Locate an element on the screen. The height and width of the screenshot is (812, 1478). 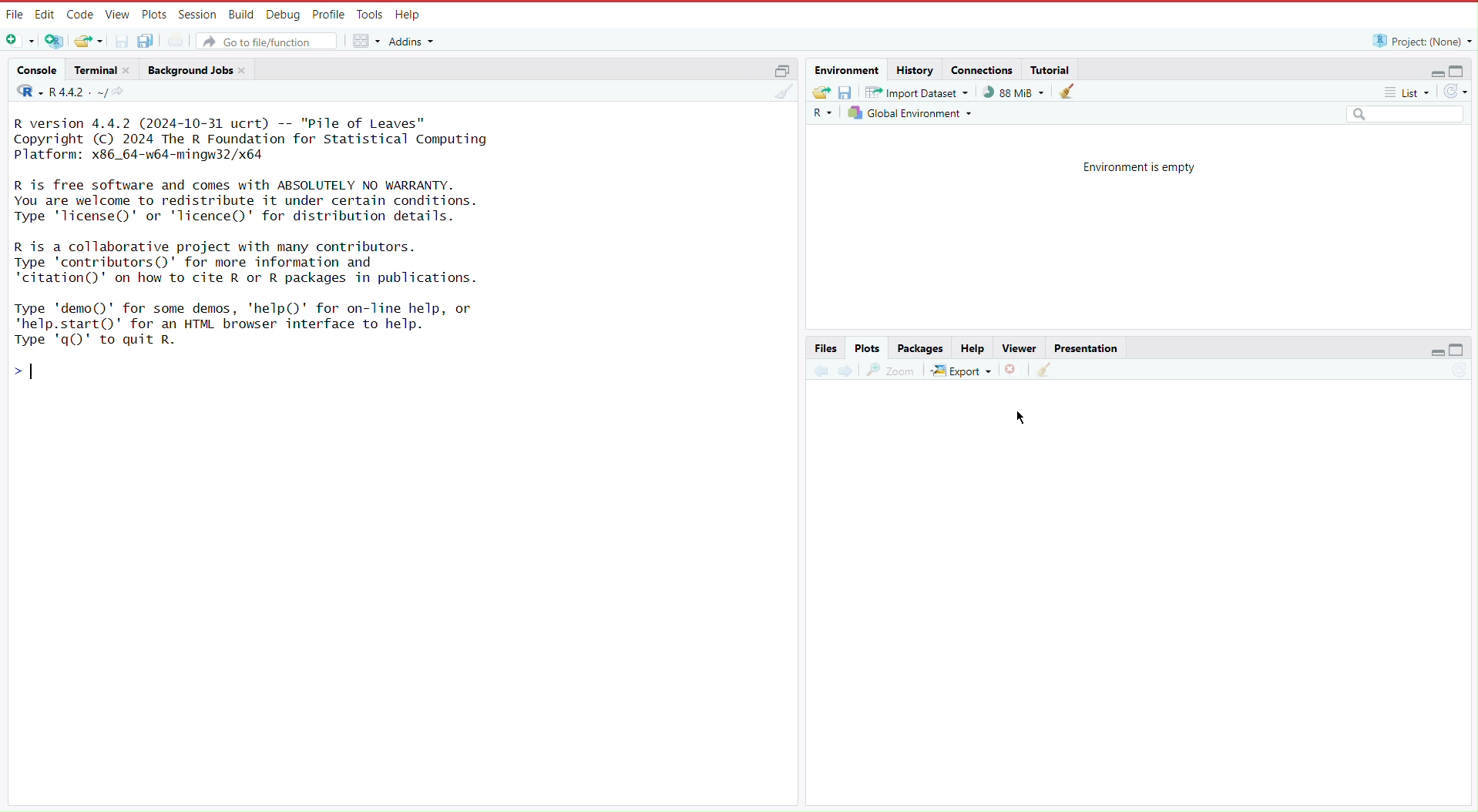
Edit is located at coordinates (45, 14).